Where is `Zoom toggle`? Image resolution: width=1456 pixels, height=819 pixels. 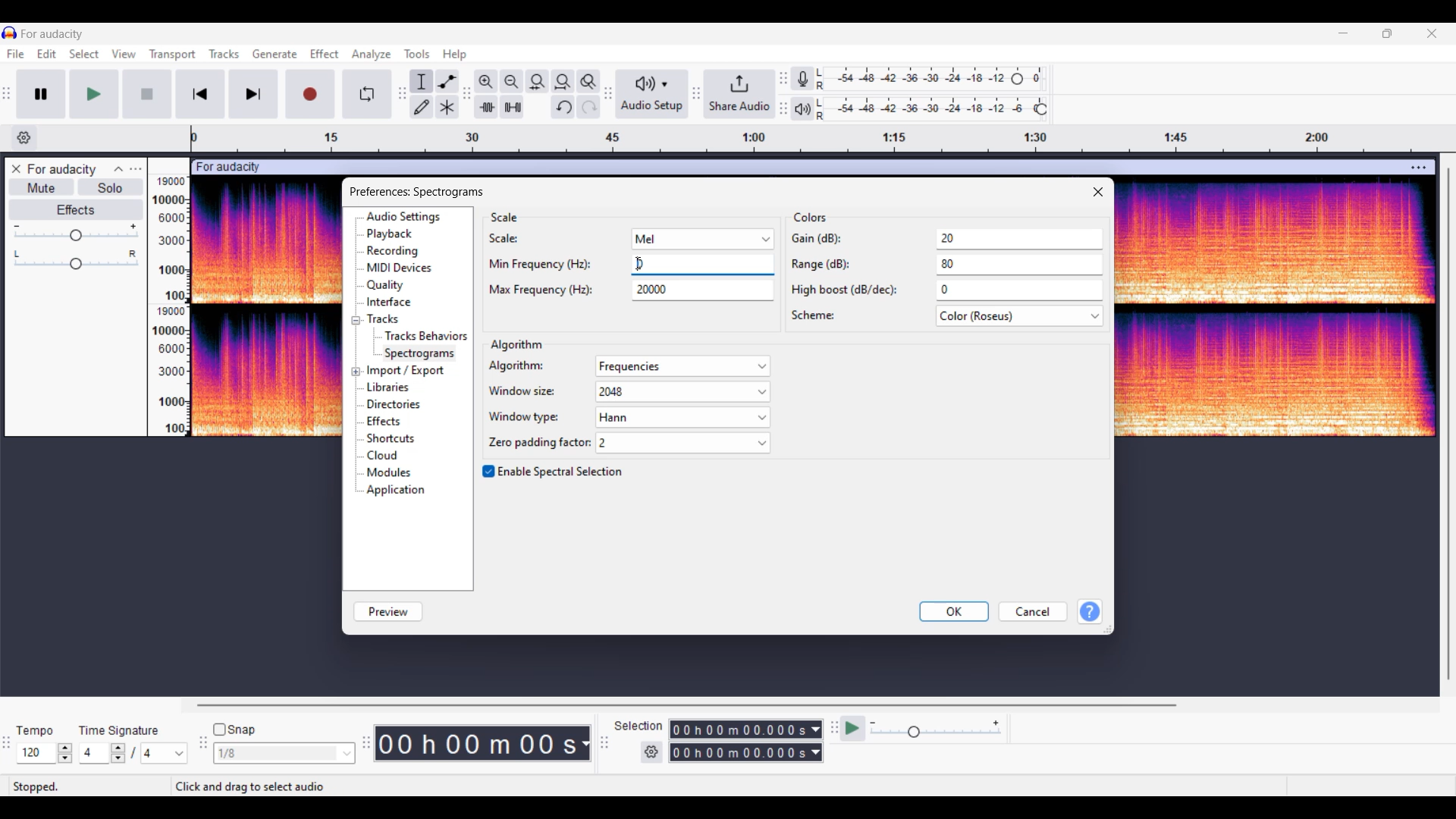
Zoom toggle is located at coordinates (588, 82).